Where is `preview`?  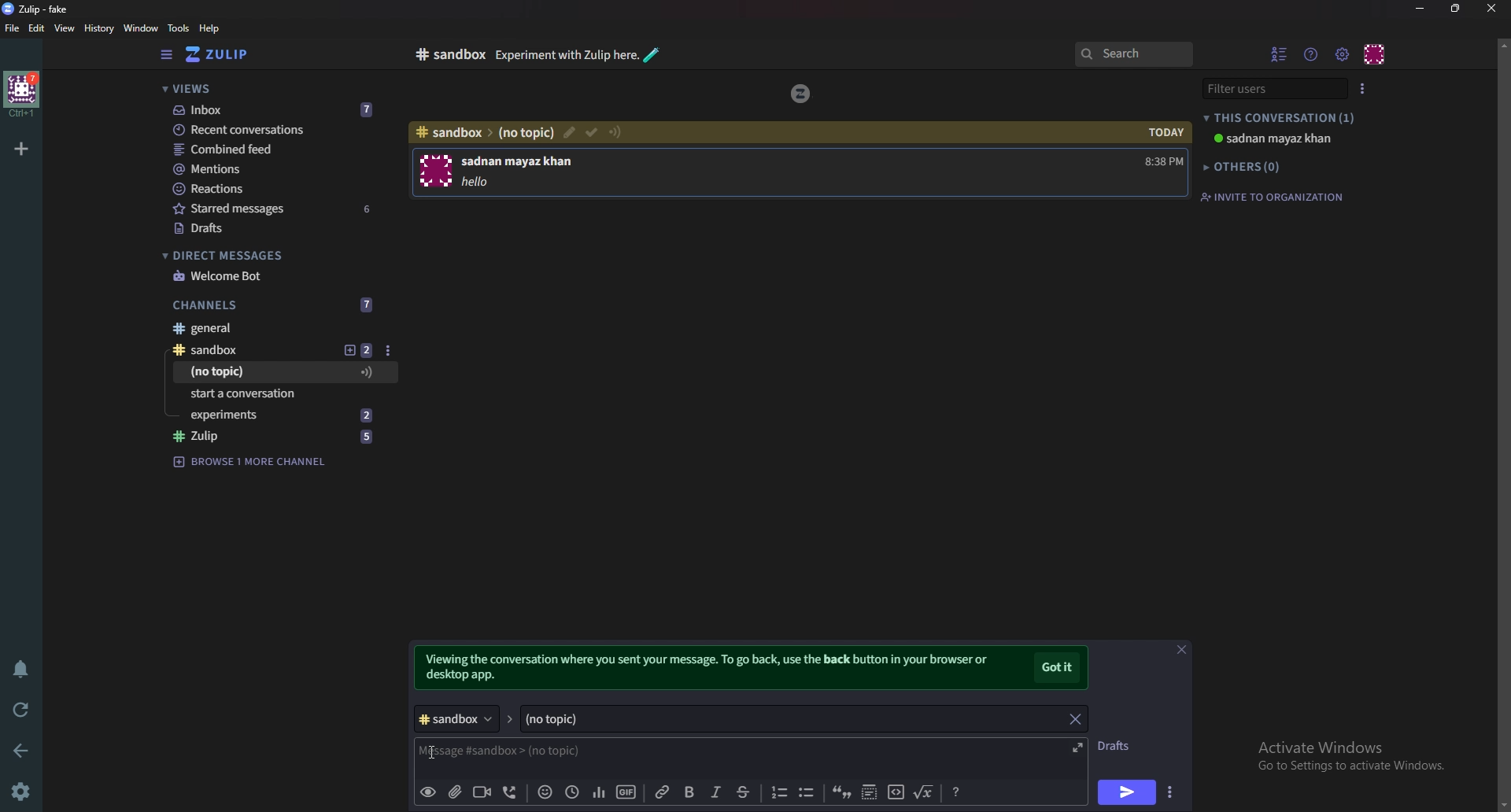
preview is located at coordinates (426, 792).